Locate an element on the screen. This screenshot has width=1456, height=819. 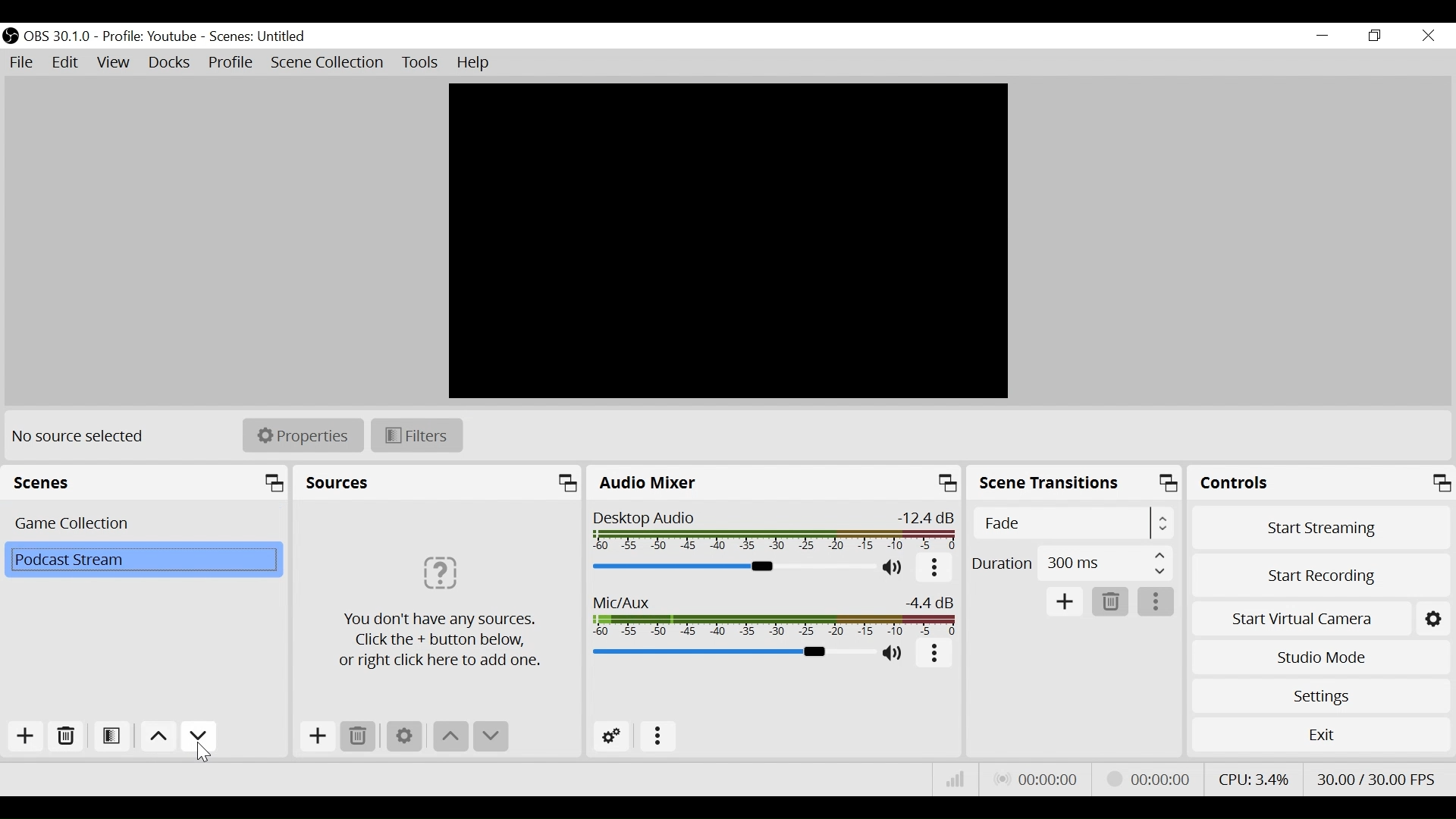
Filter is located at coordinates (415, 434).